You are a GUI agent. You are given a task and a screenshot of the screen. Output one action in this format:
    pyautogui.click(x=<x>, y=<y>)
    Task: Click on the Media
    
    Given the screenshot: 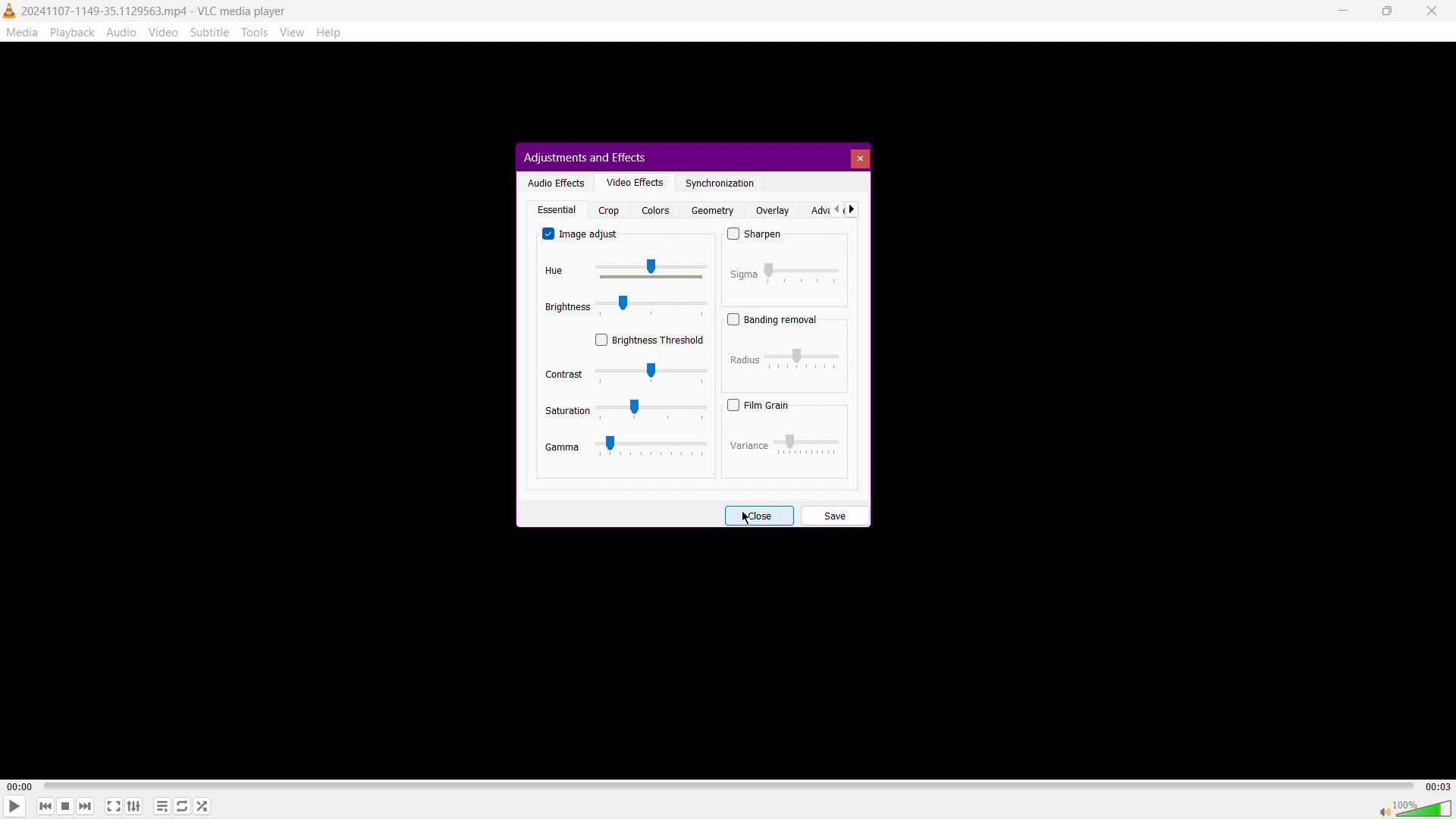 What is the action you would take?
    pyautogui.click(x=21, y=31)
    